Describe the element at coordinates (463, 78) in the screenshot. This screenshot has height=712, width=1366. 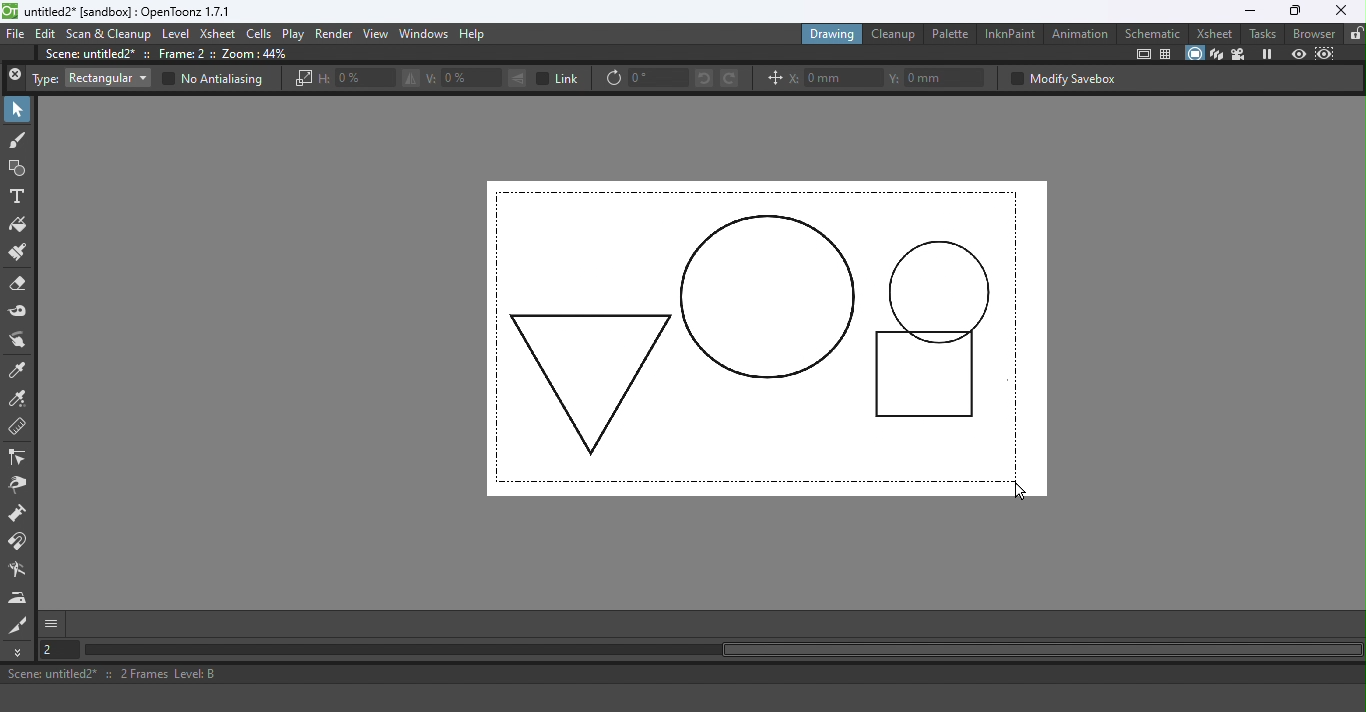
I see `V: 0%` at that location.